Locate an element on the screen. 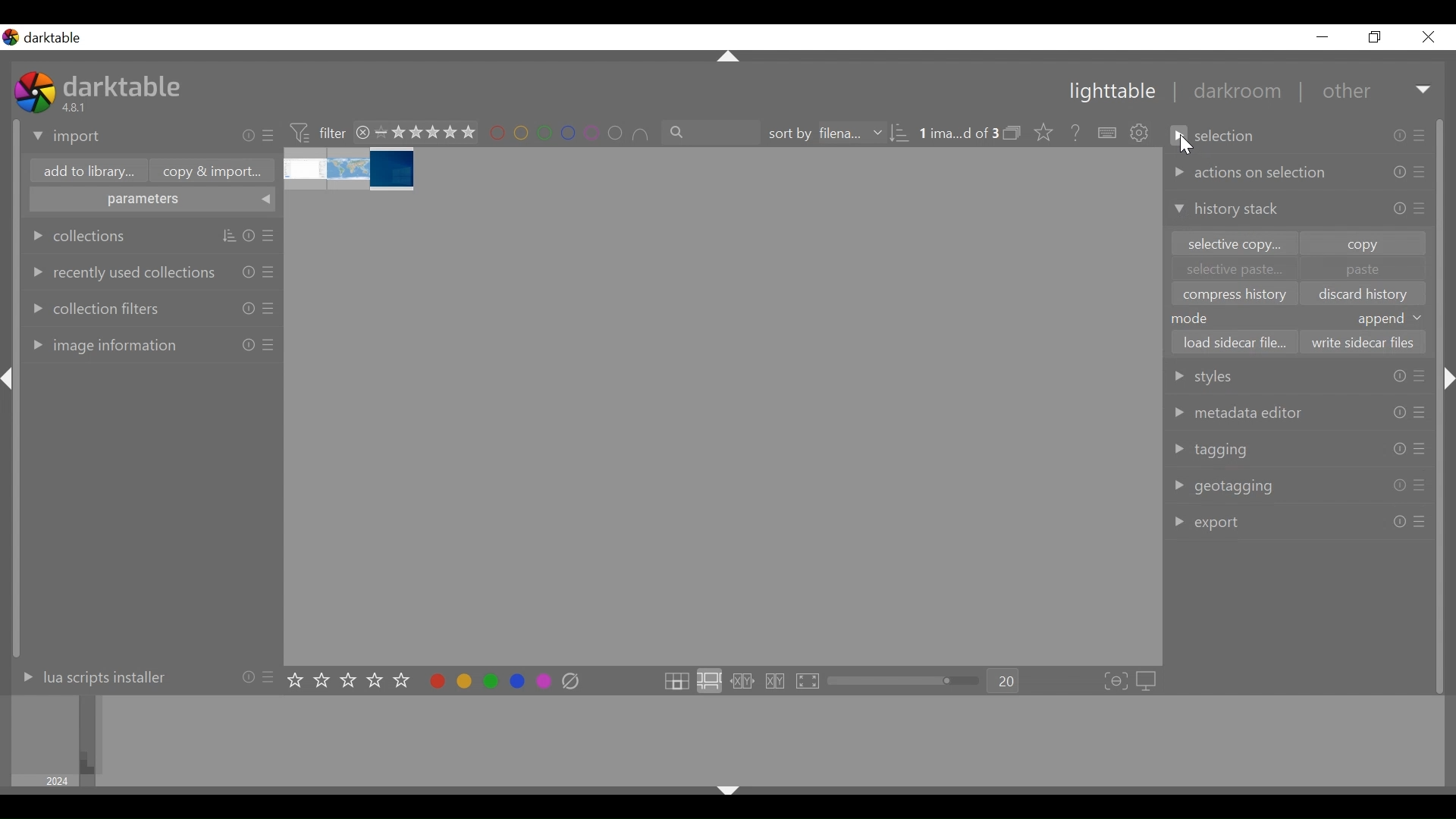  range rating is located at coordinates (425, 133).